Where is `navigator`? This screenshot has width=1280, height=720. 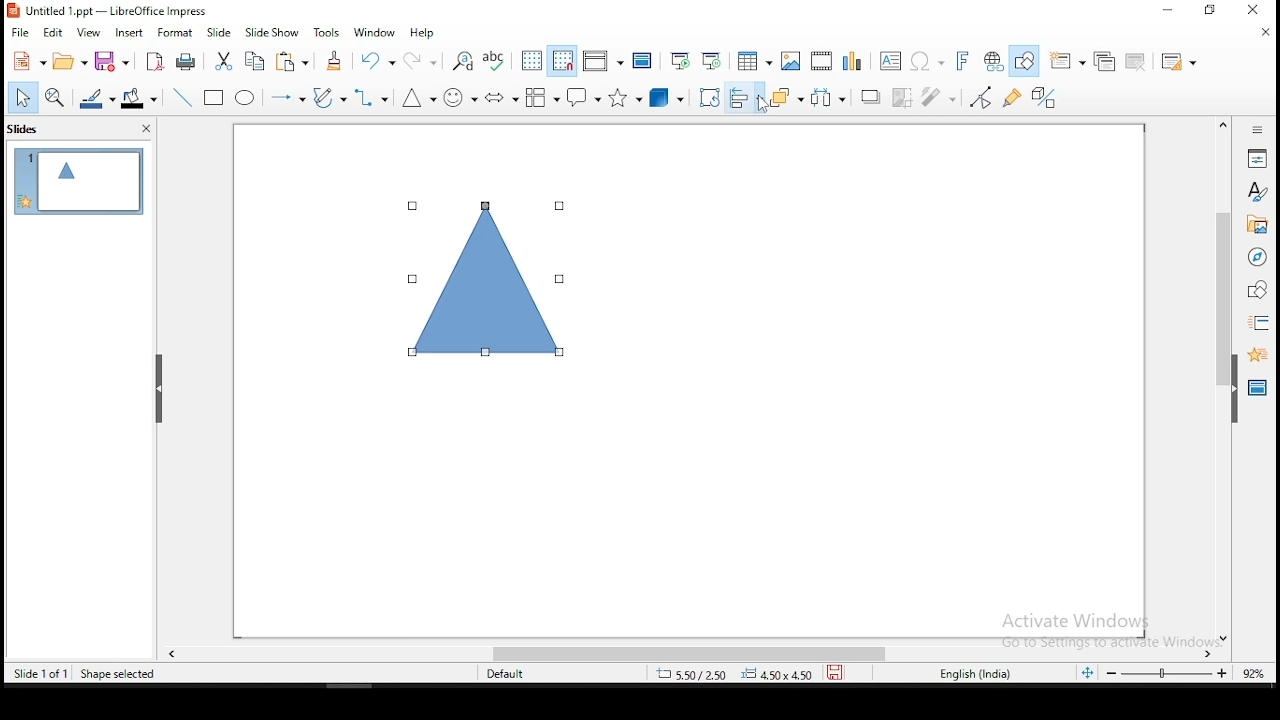 navigator is located at coordinates (1259, 260).